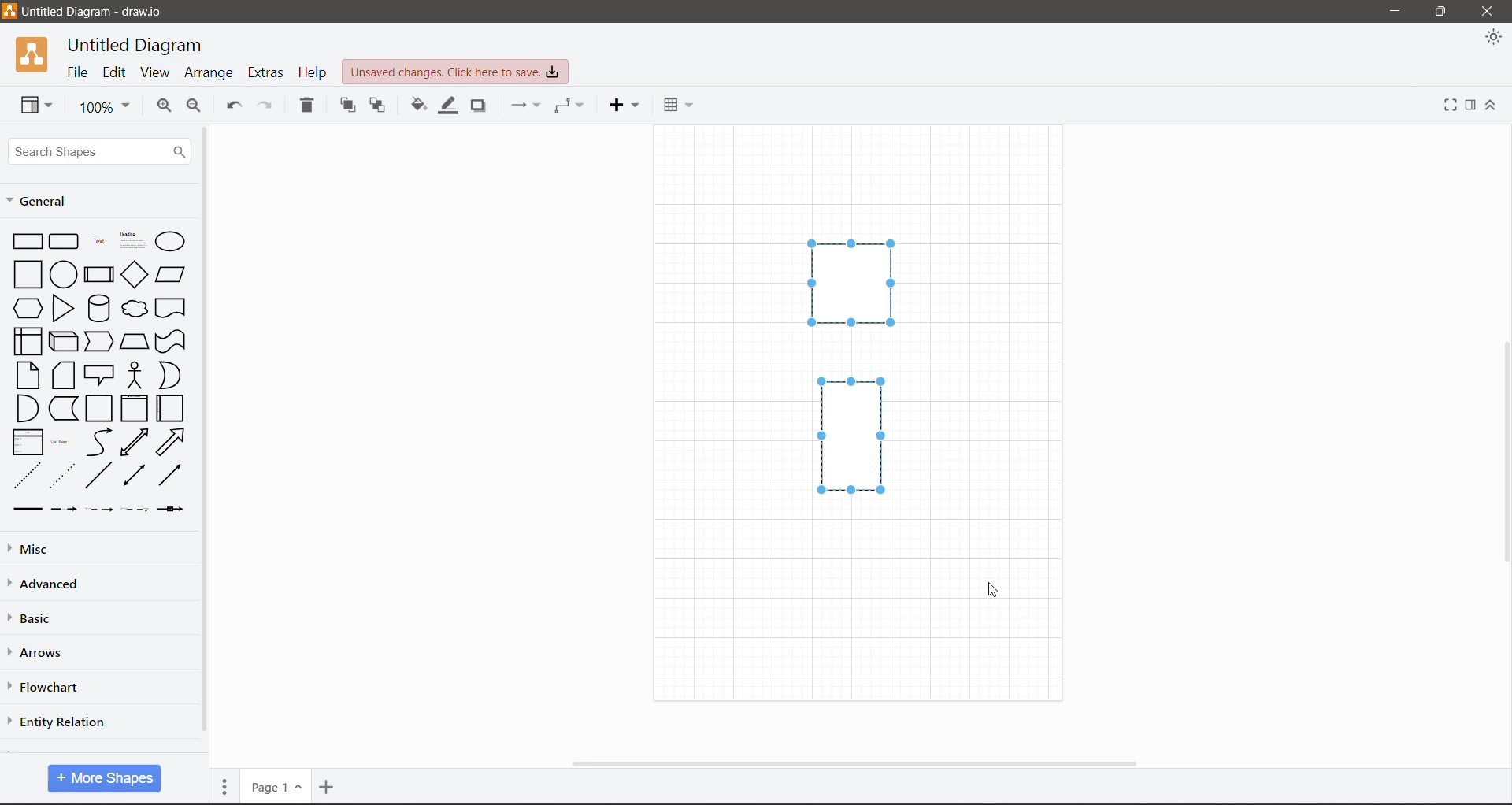 Image resolution: width=1512 pixels, height=805 pixels. I want to click on View, so click(154, 72).